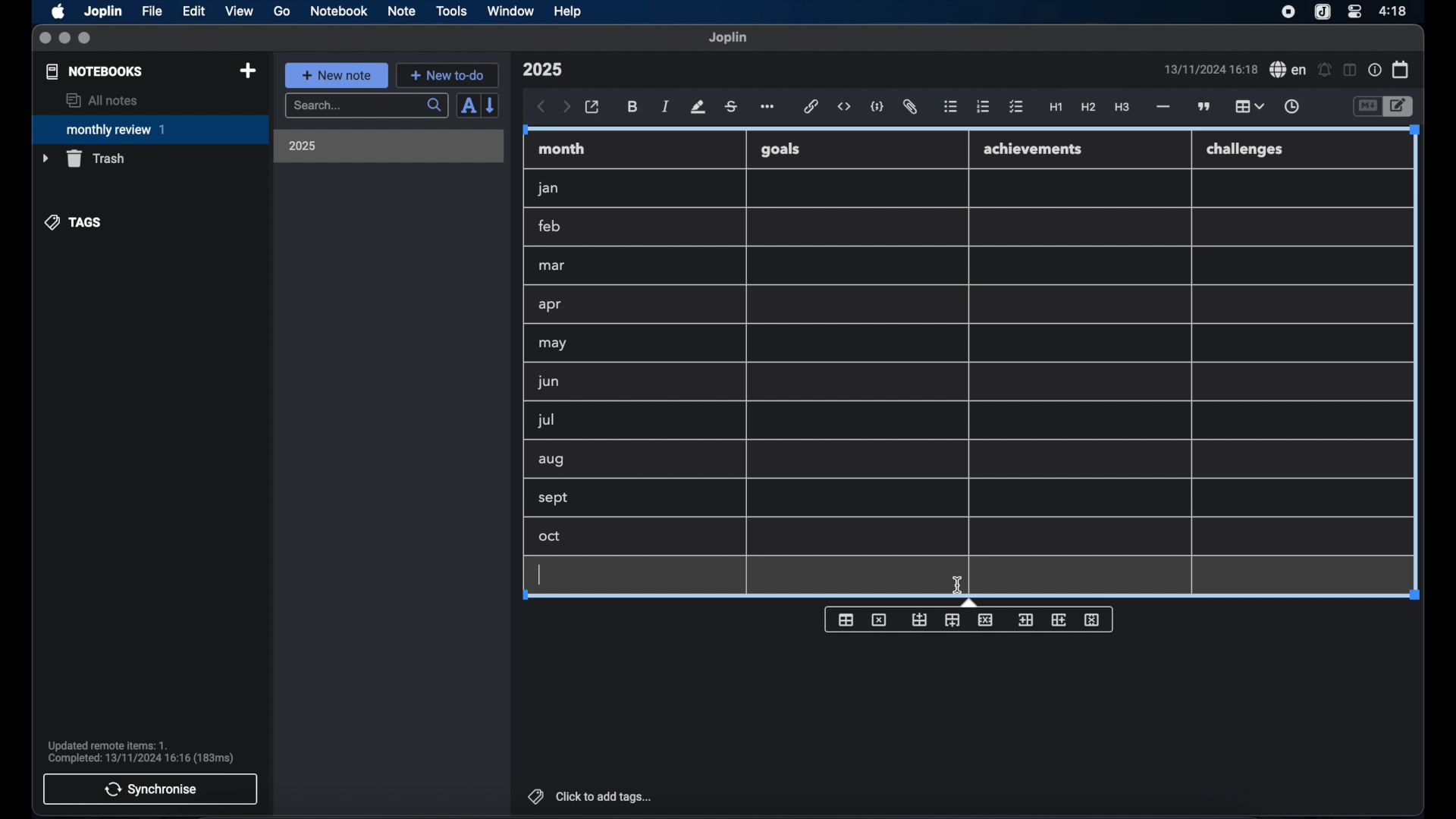 This screenshot has width=1456, height=819. Describe the element at coordinates (511, 11) in the screenshot. I see `window` at that location.